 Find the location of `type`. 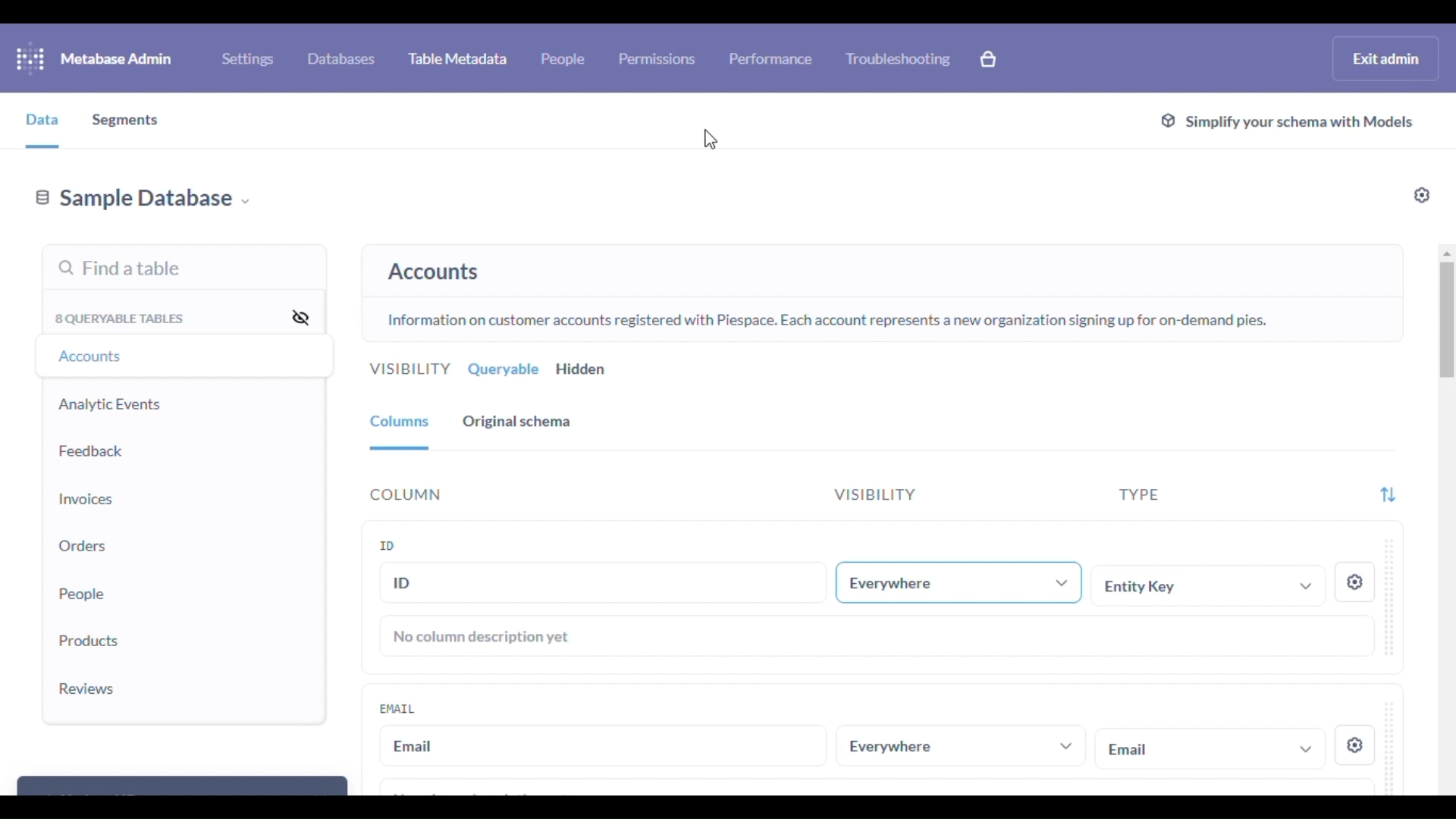

type is located at coordinates (1139, 495).